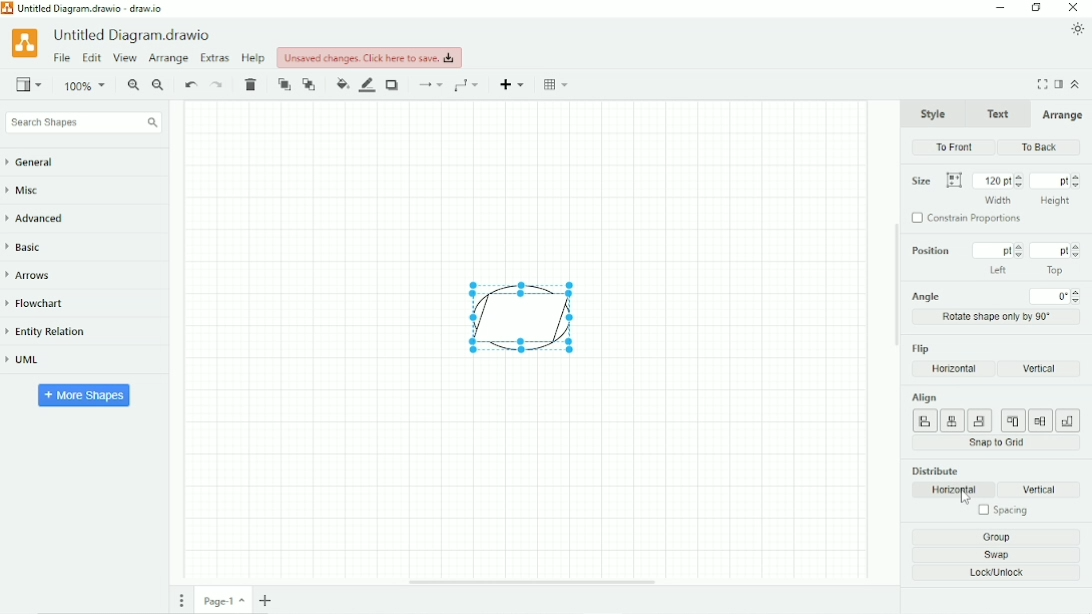 This screenshot has width=1092, height=614. I want to click on Text, so click(996, 112).